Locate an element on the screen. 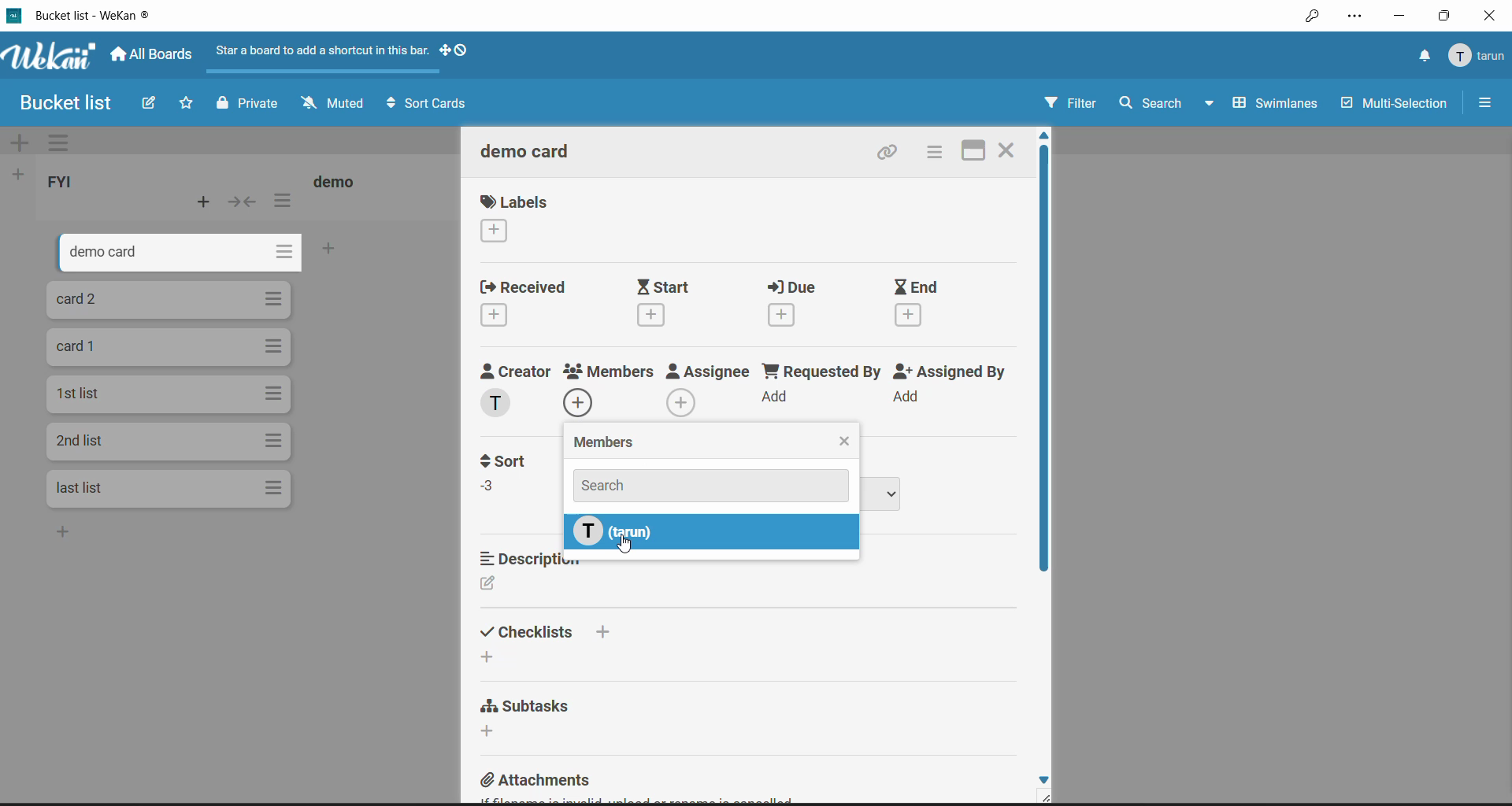   is located at coordinates (529, 706).